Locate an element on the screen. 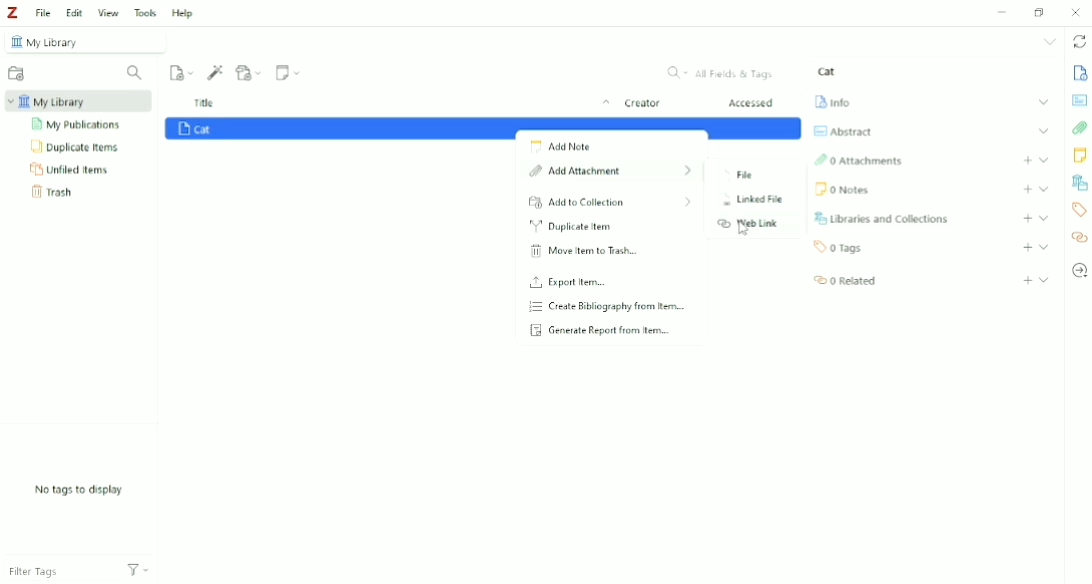  Add is located at coordinates (1027, 189).